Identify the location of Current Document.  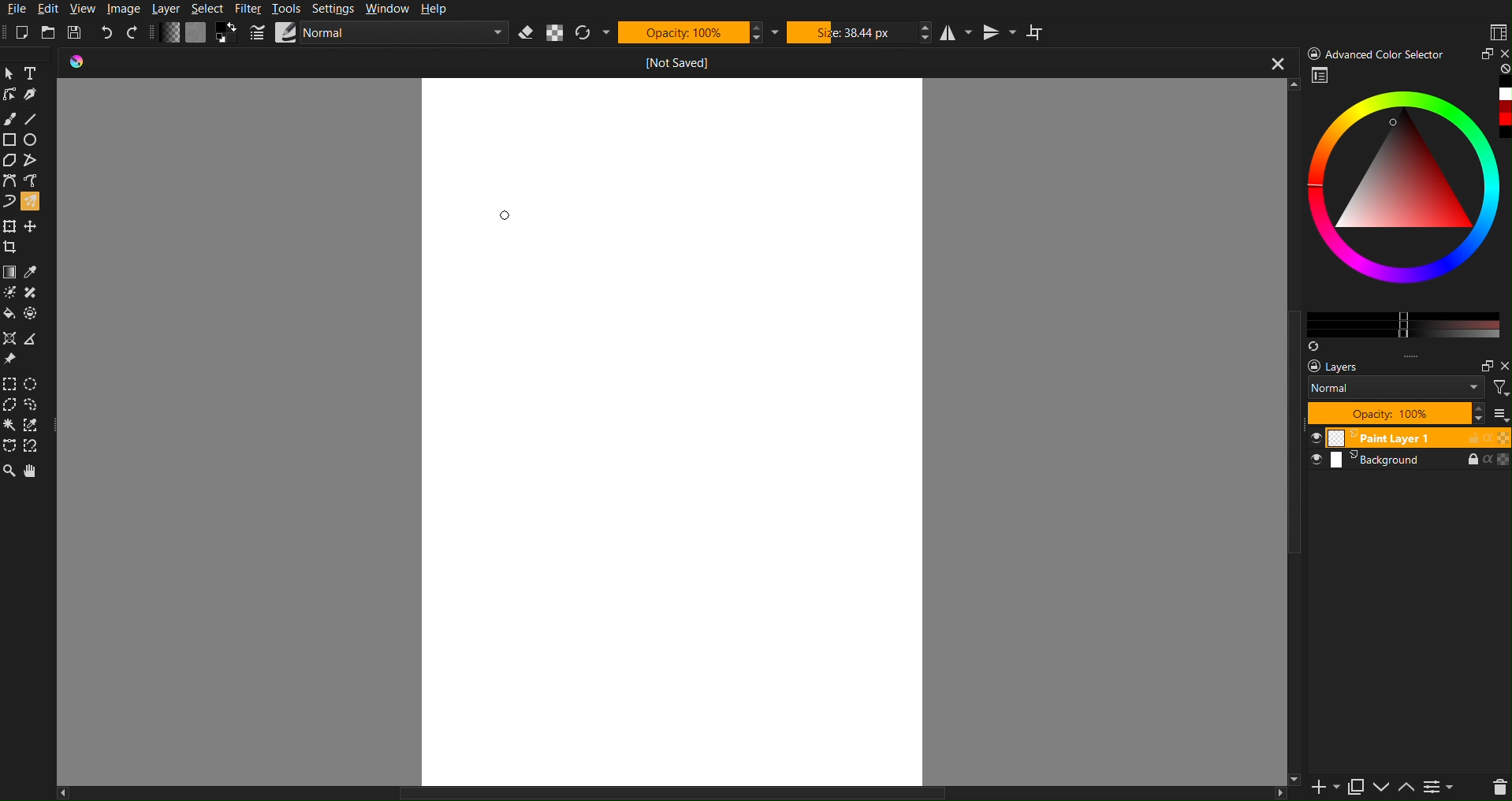
(638, 62).